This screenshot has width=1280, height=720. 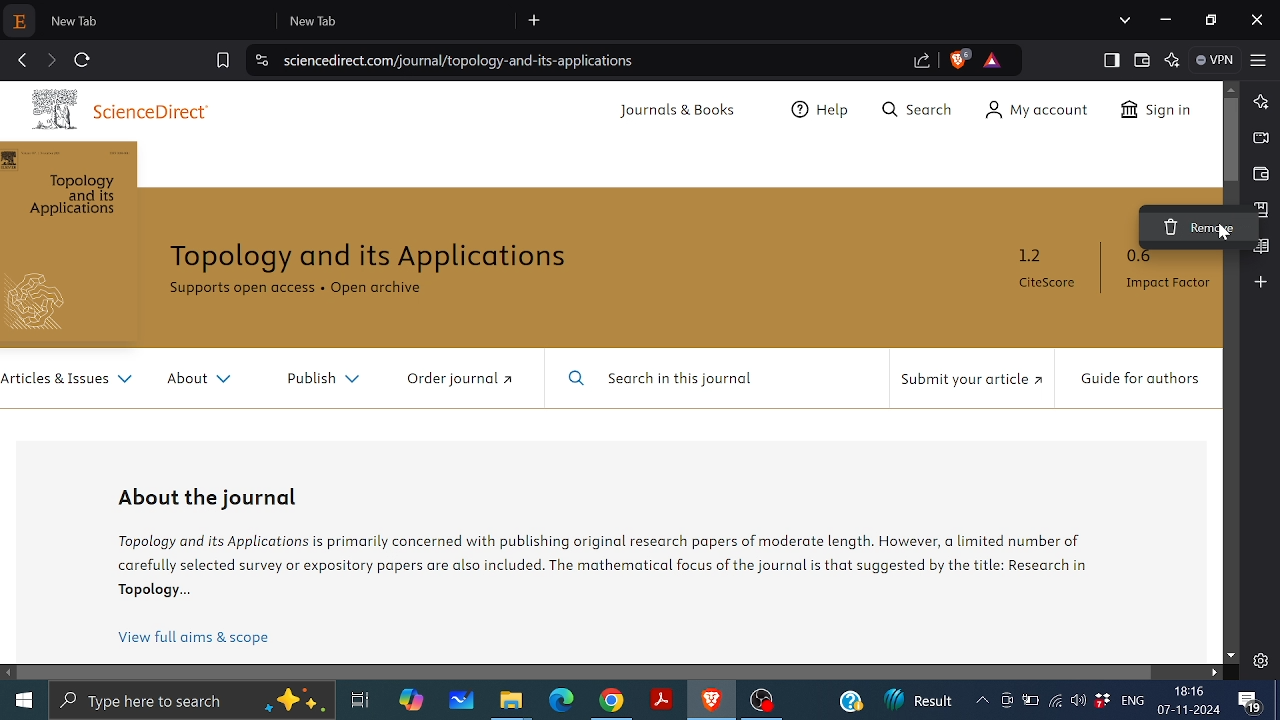 I want to click on cursor, so click(x=1221, y=237).